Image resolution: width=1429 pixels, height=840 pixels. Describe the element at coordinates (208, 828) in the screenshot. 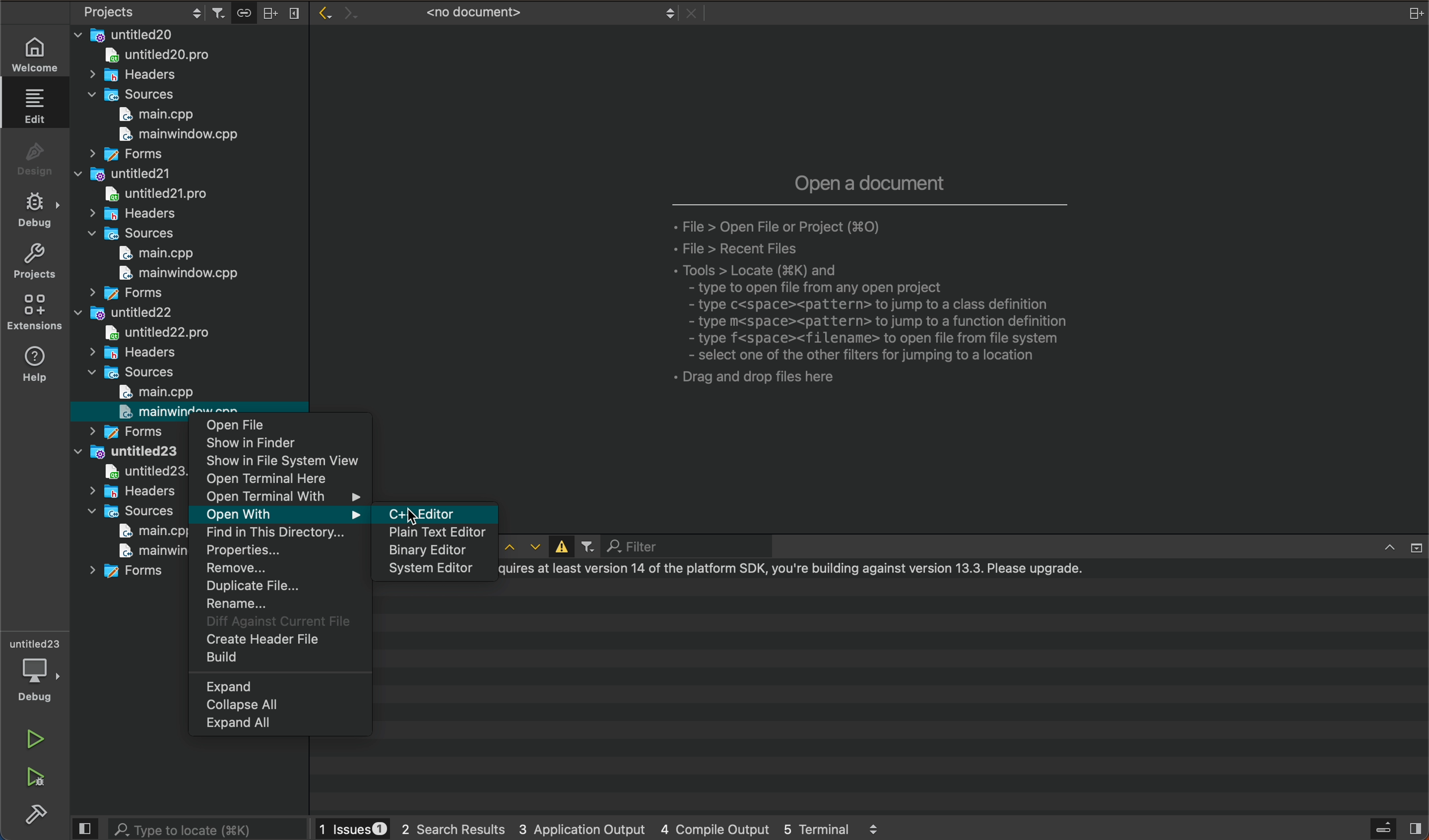

I see `search bar` at that location.